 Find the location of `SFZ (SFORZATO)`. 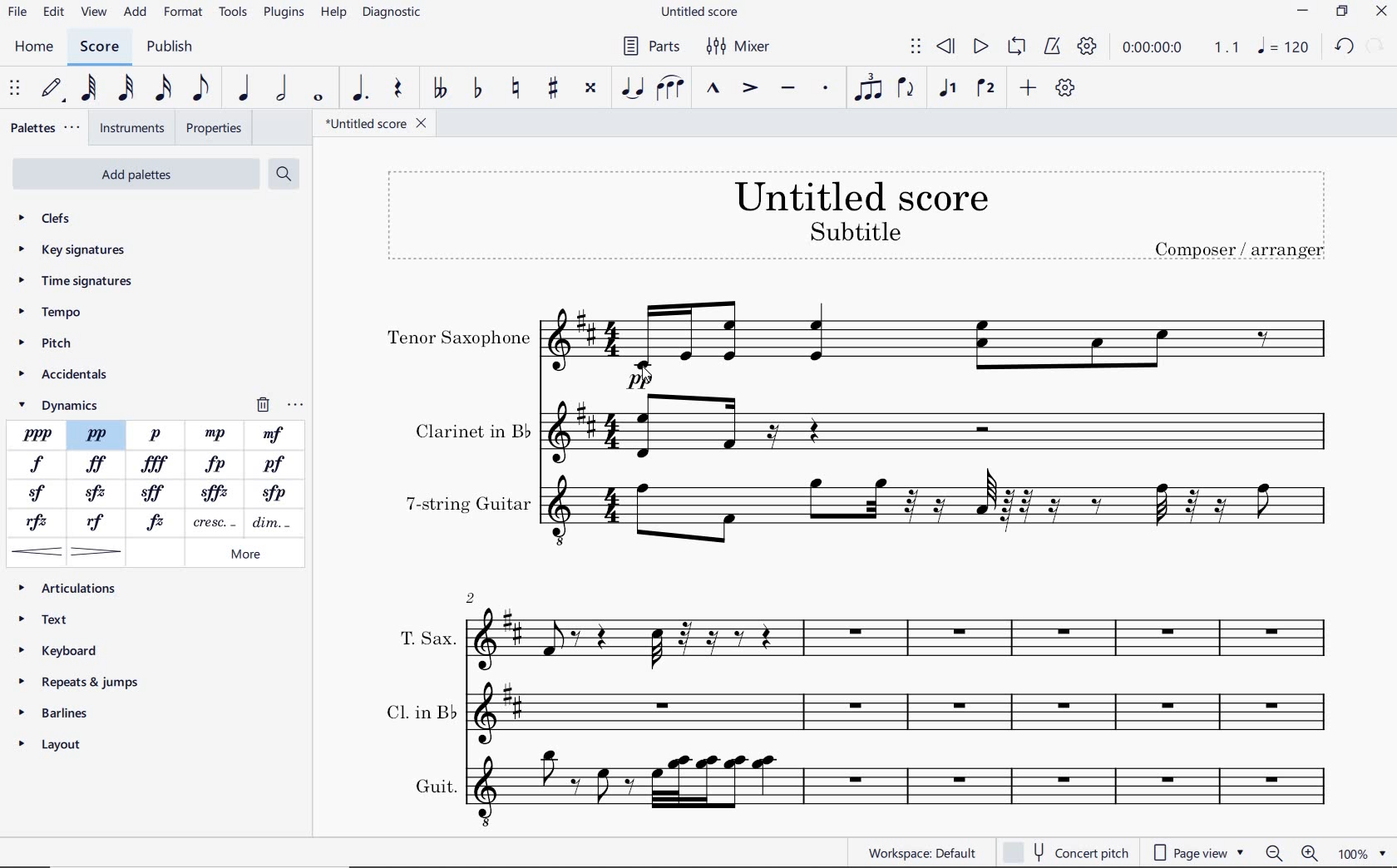

SFZ (SFORZATO) is located at coordinates (96, 492).